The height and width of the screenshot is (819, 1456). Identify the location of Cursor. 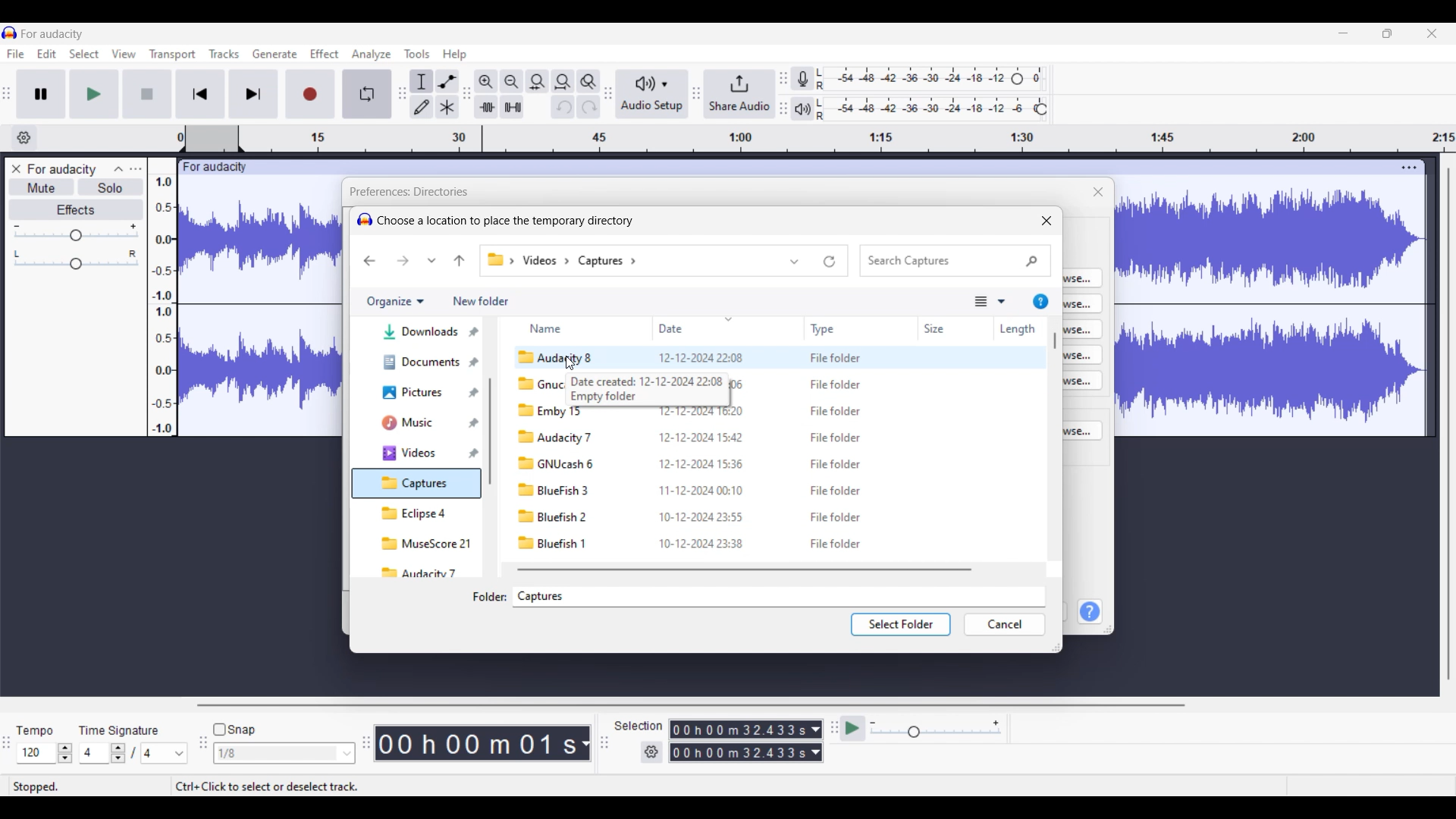
(571, 363).